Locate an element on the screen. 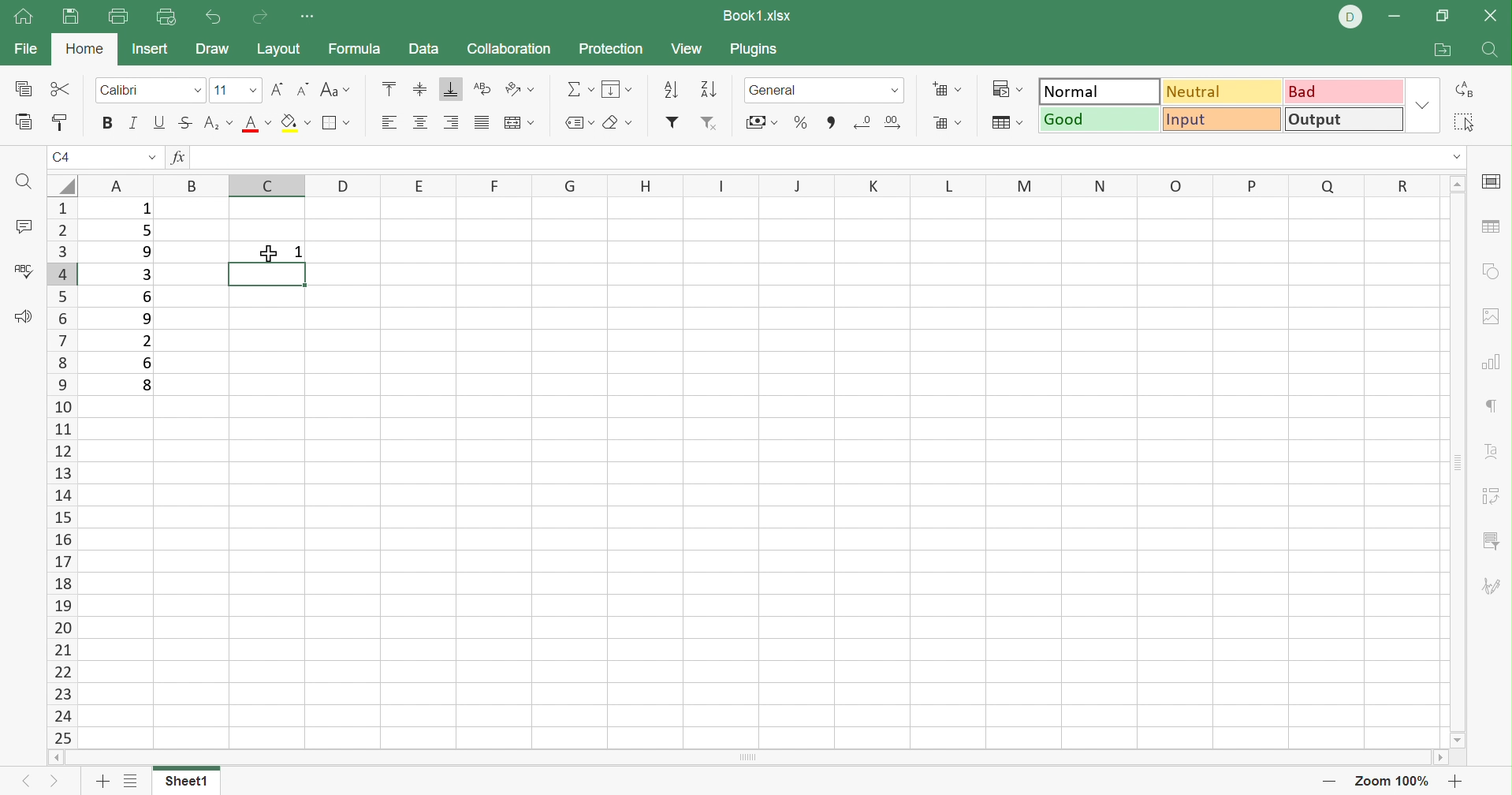  Image settings is located at coordinates (1492, 320).